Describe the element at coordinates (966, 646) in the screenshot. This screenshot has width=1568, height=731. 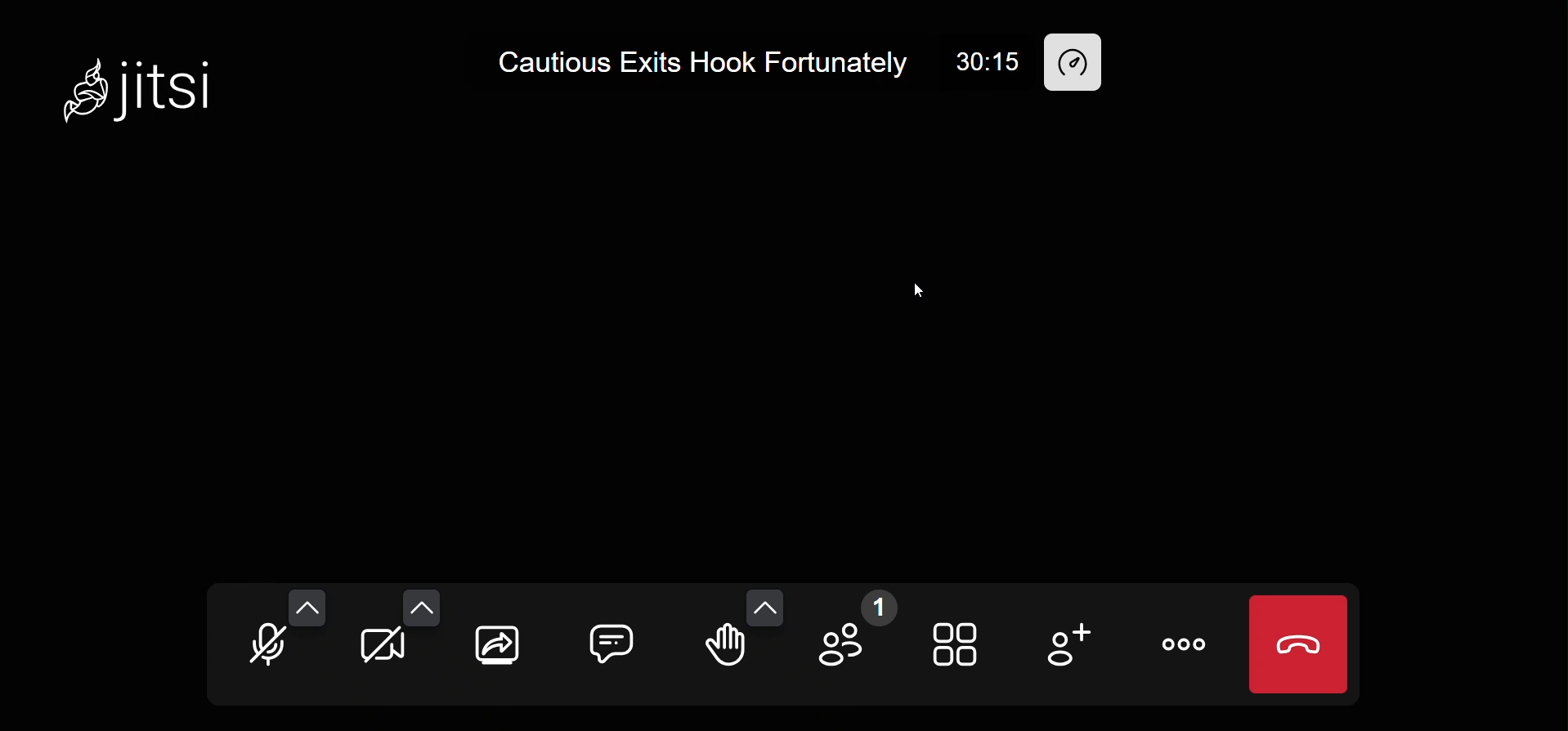
I see `tile view` at that location.